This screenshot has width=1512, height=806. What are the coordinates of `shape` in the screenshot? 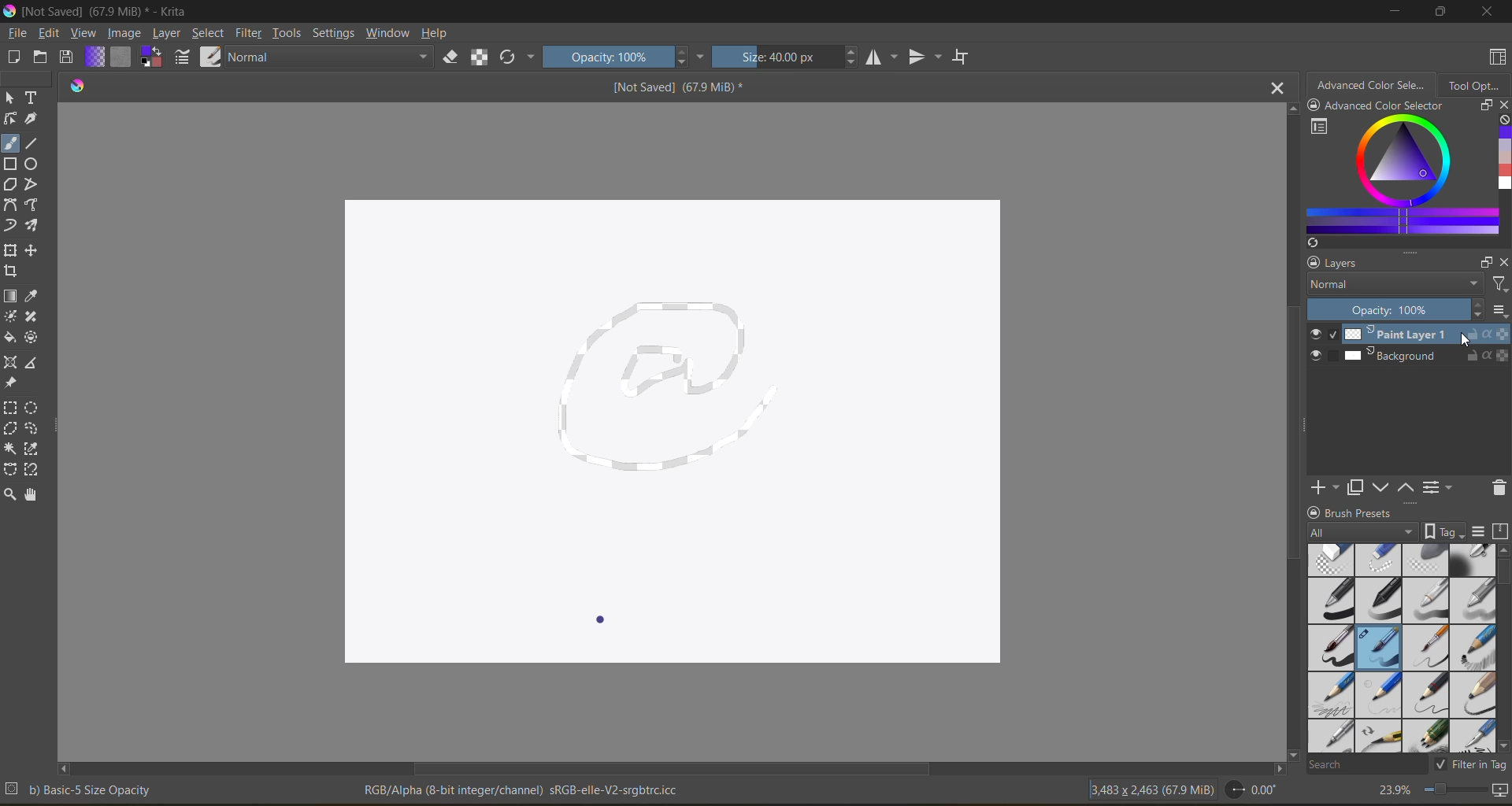 It's located at (10, 119).